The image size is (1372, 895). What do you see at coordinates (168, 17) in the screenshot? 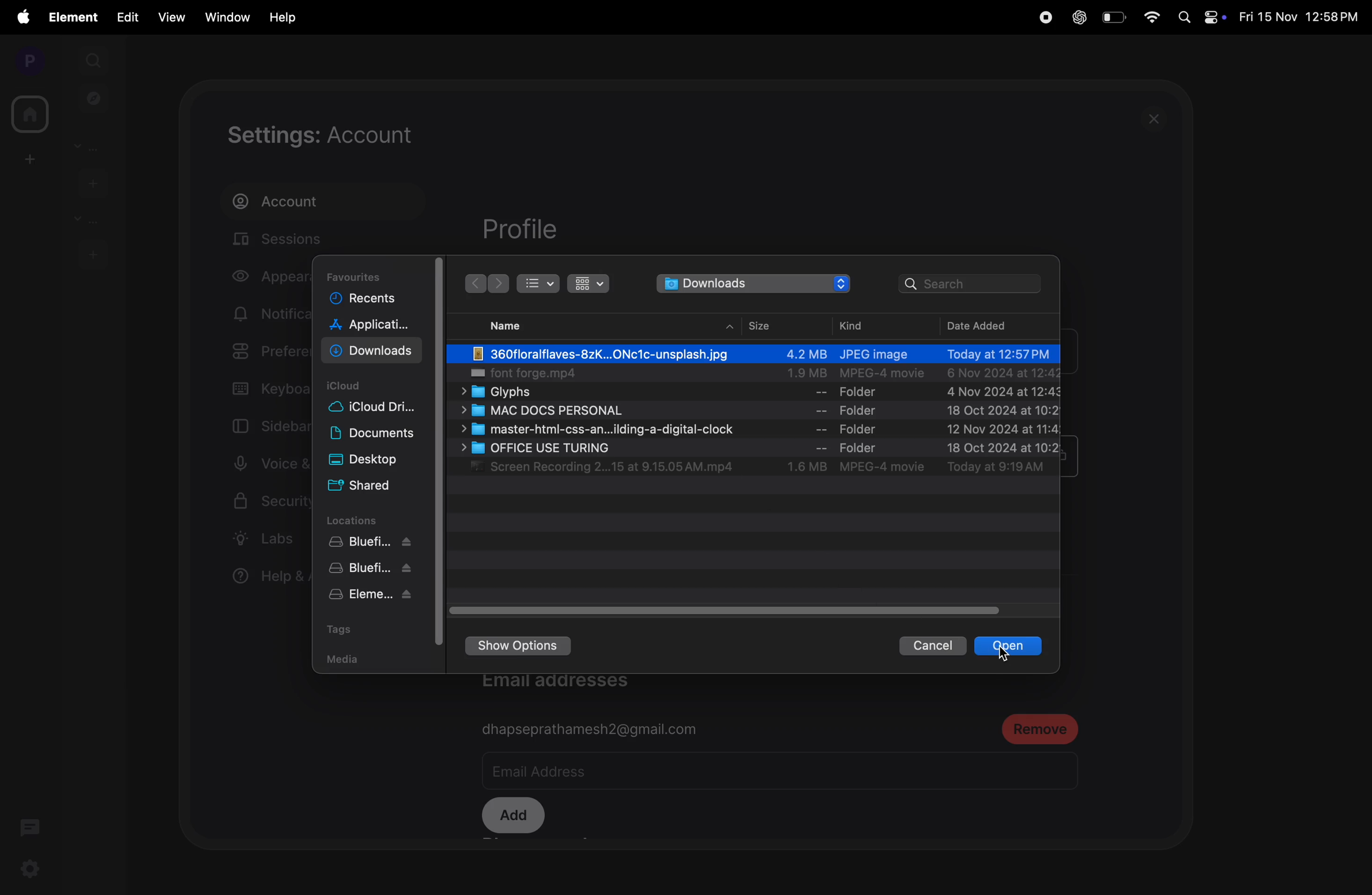
I see `view` at bounding box center [168, 17].